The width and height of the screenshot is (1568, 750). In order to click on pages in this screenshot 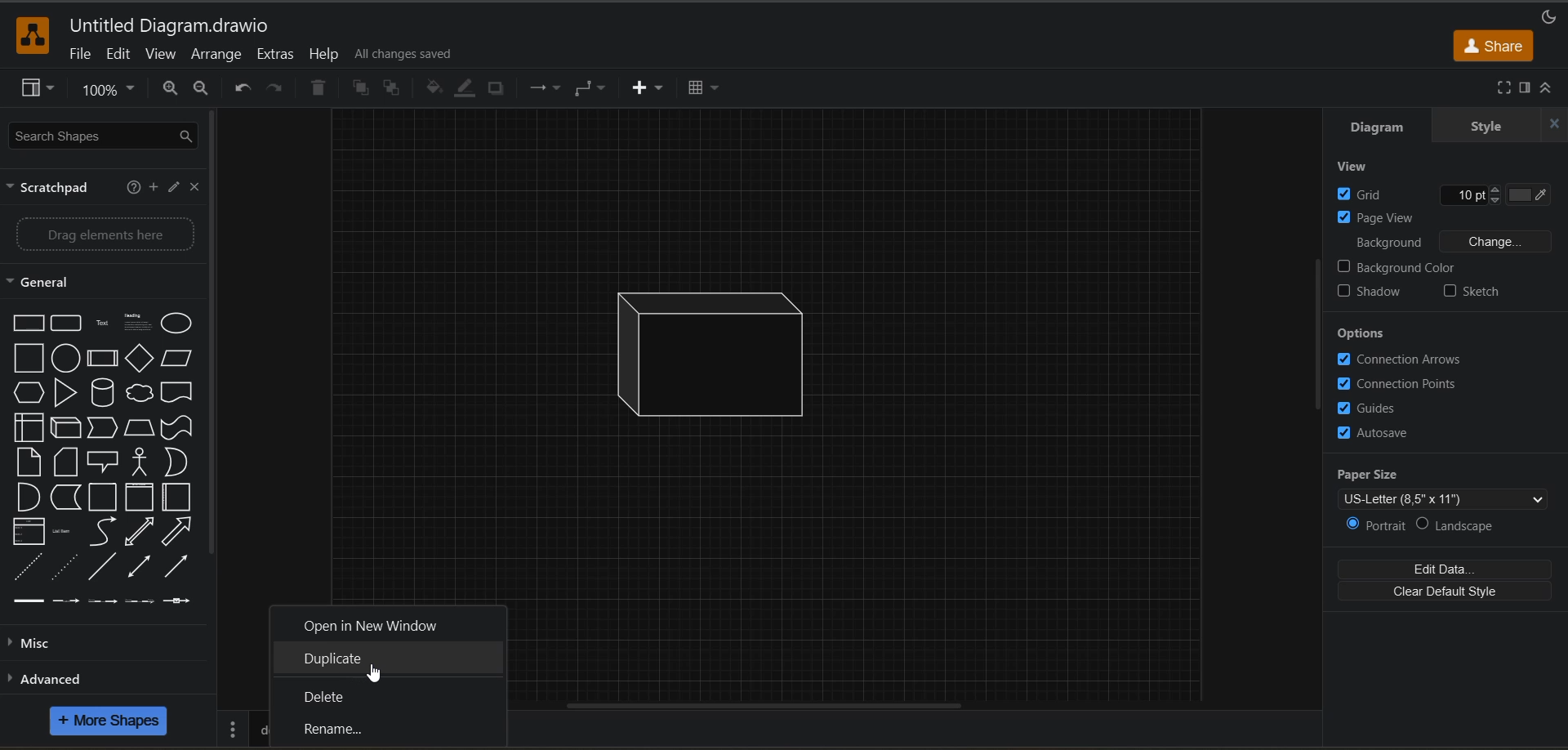, I will do `click(233, 728)`.